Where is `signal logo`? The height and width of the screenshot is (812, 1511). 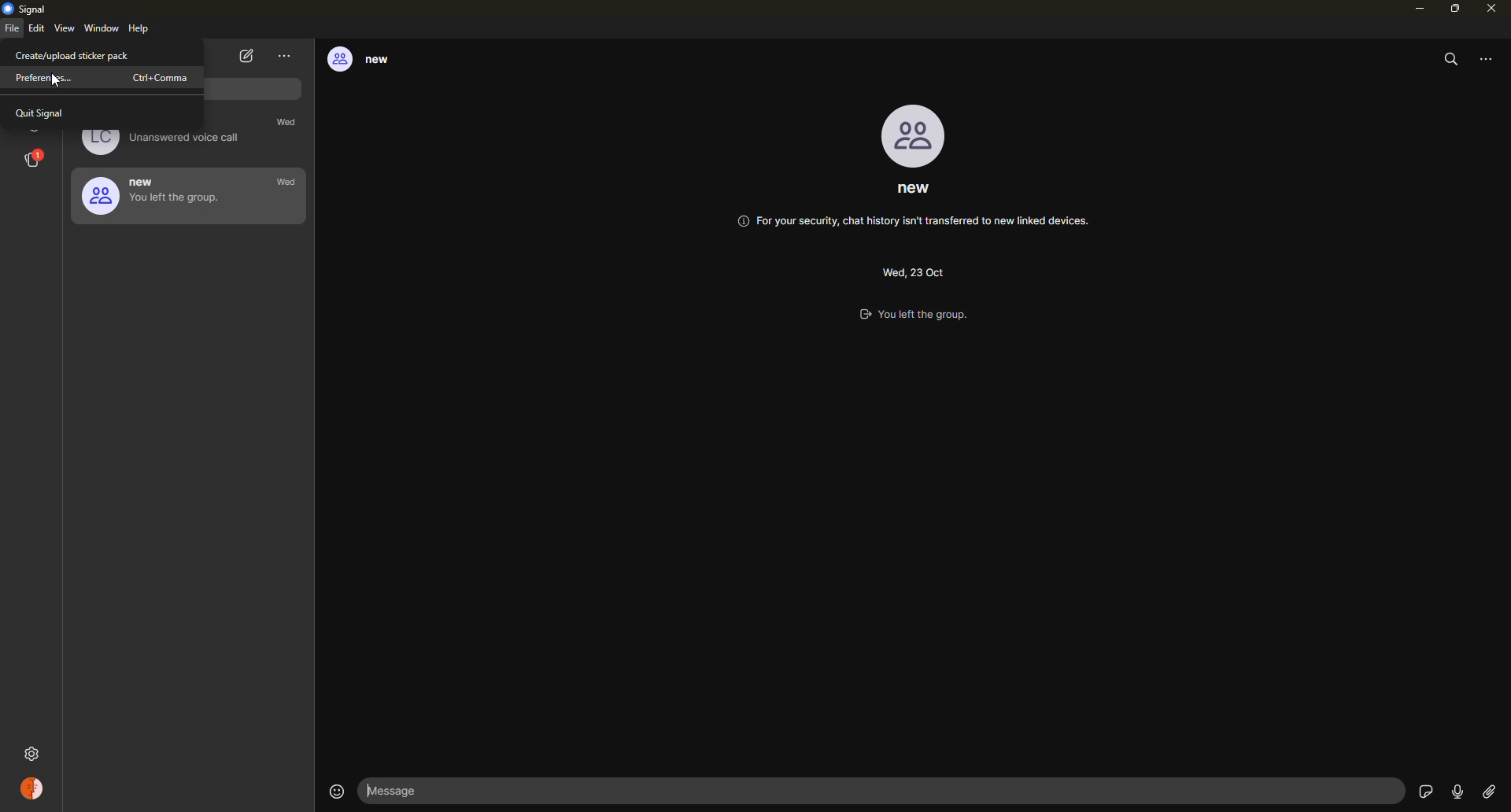
signal logo is located at coordinates (29, 9).